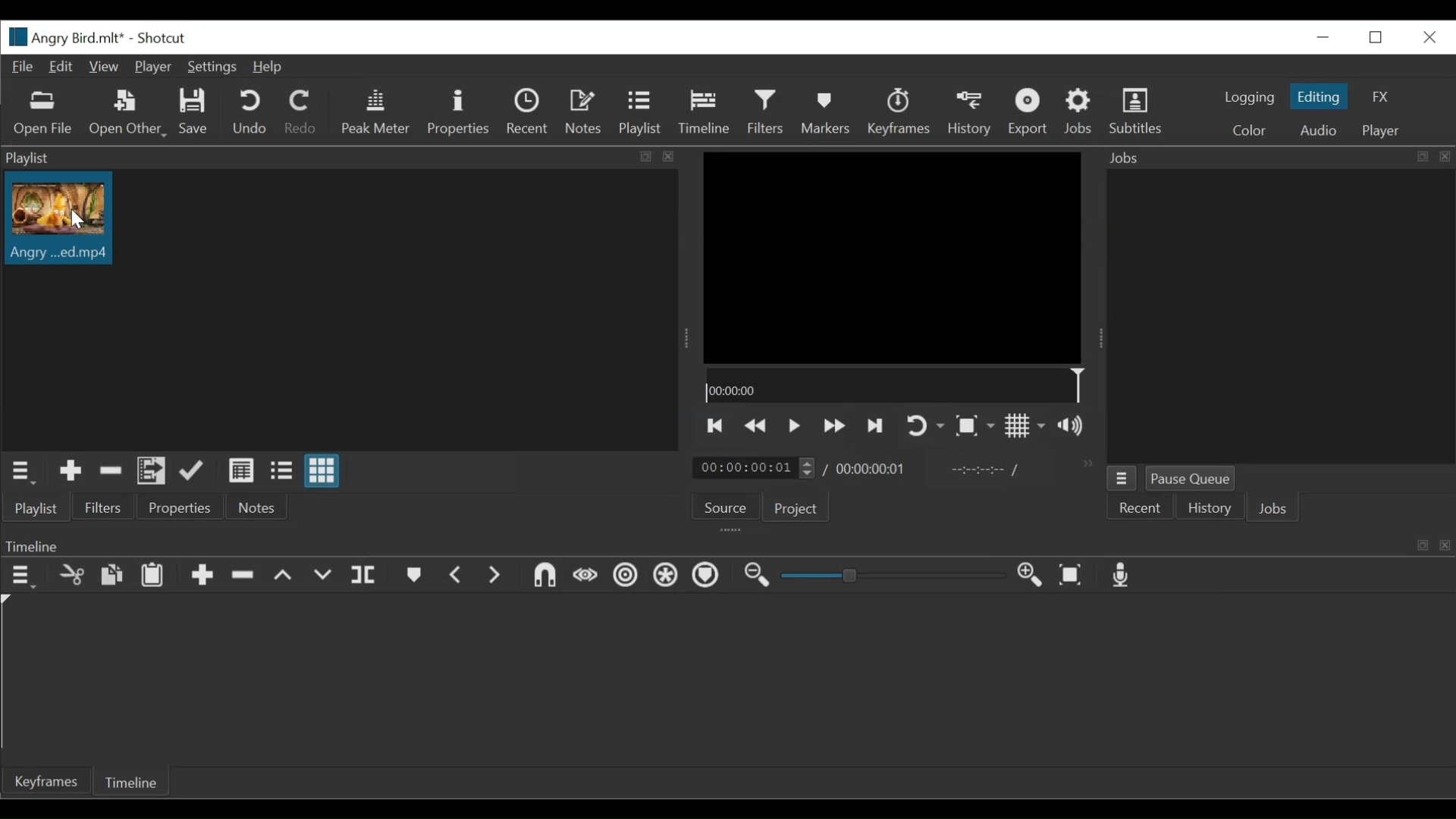 This screenshot has height=819, width=1456. I want to click on Save, so click(197, 114).